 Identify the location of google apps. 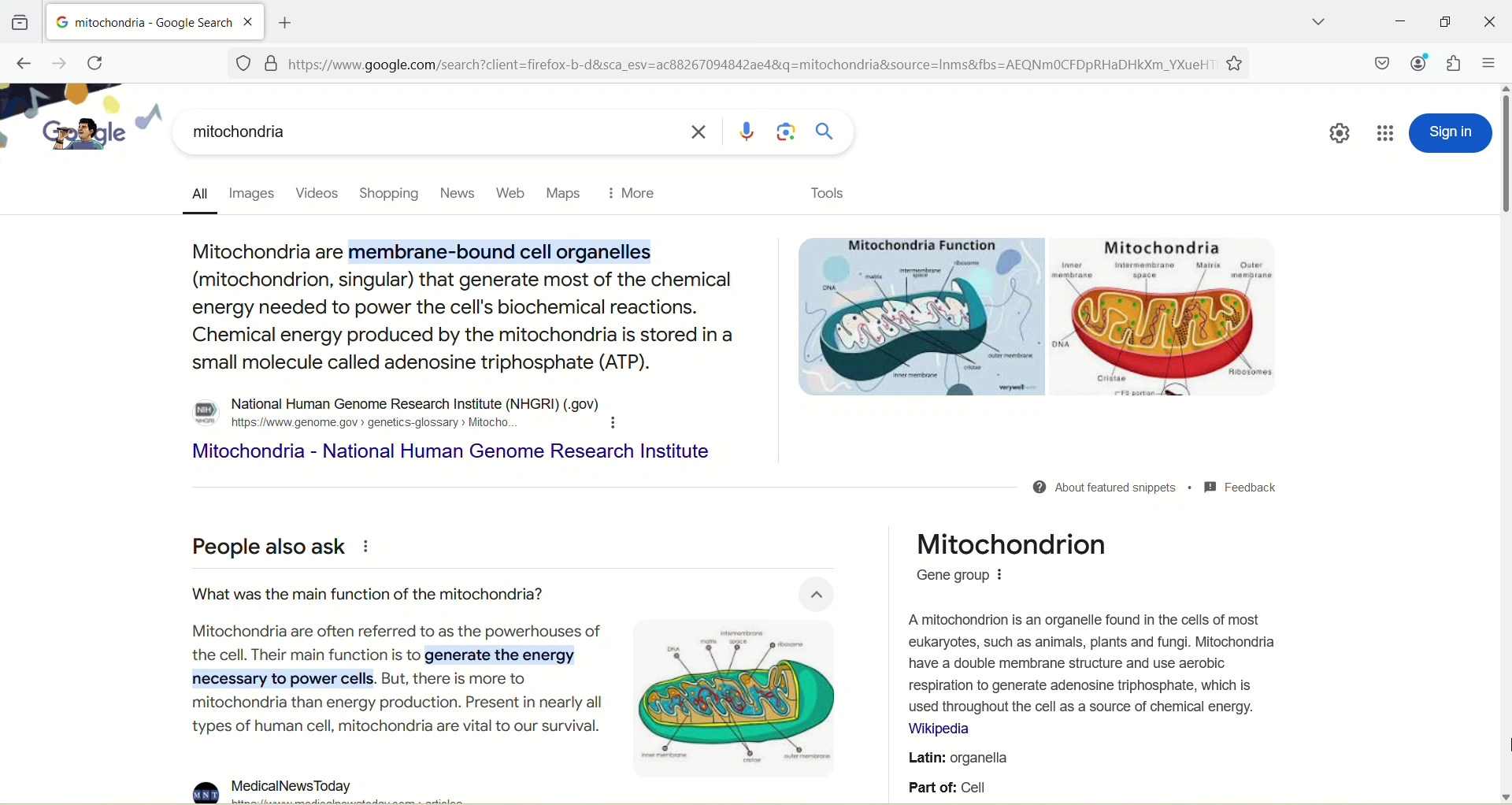
(1385, 133).